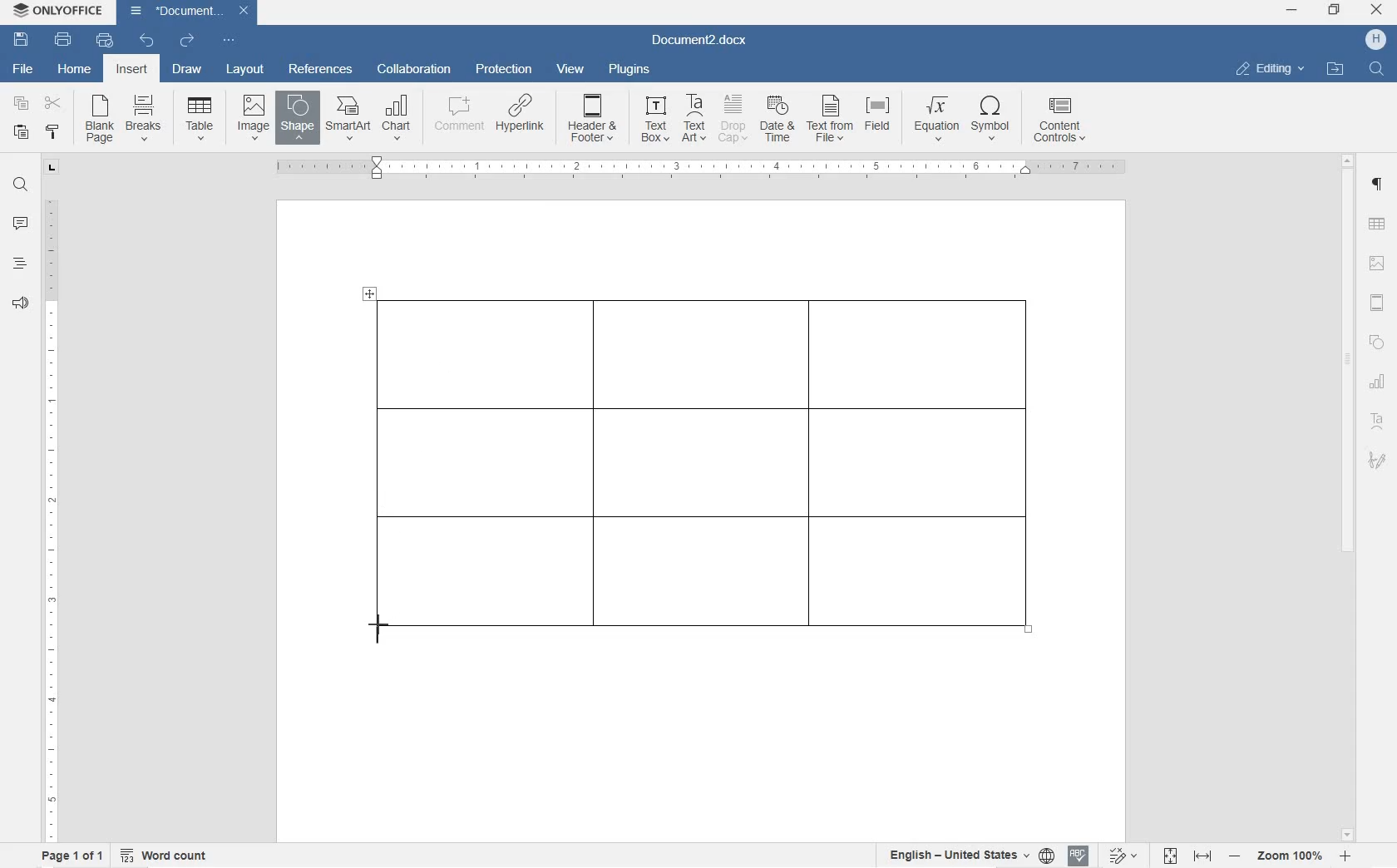  What do you see at coordinates (52, 104) in the screenshot?
I see `cut` at bounding box center [52, 104].